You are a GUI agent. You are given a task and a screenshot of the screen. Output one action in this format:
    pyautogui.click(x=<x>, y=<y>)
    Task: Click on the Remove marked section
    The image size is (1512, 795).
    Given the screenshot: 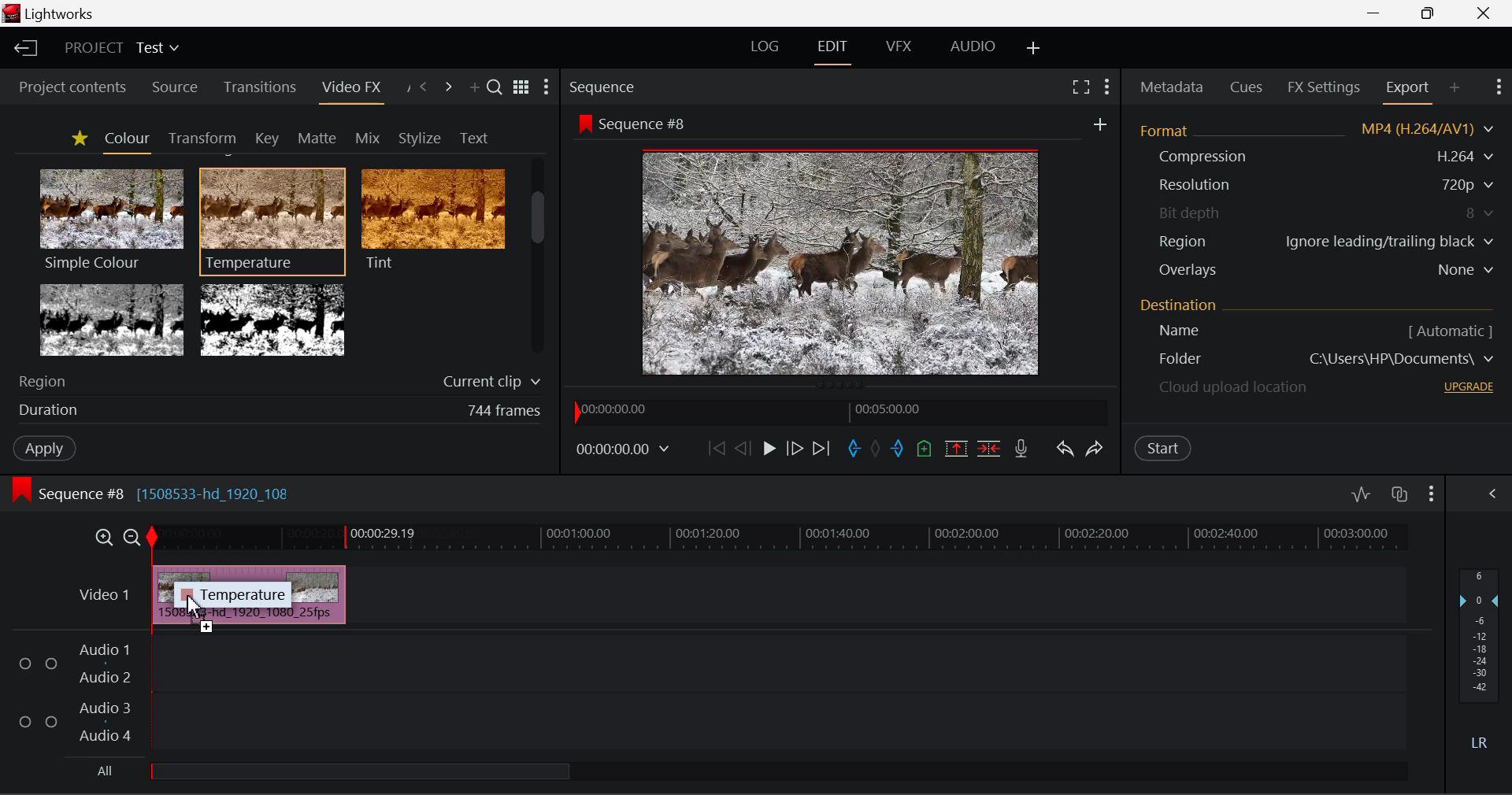 What is the action you would take?
    pyautogui.click(x=954, y=449)
    